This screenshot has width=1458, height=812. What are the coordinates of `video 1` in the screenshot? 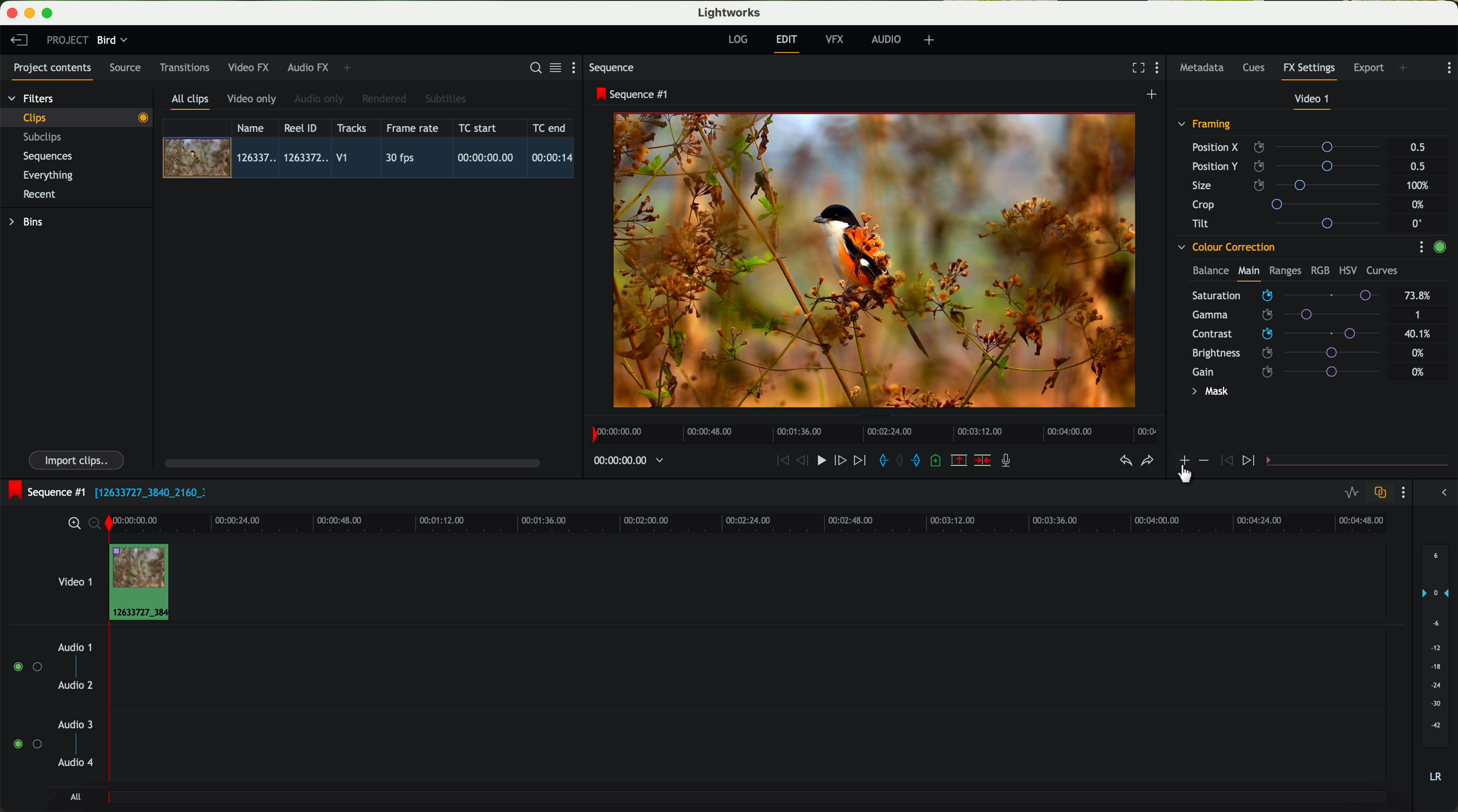 It's located at (1313, 101).